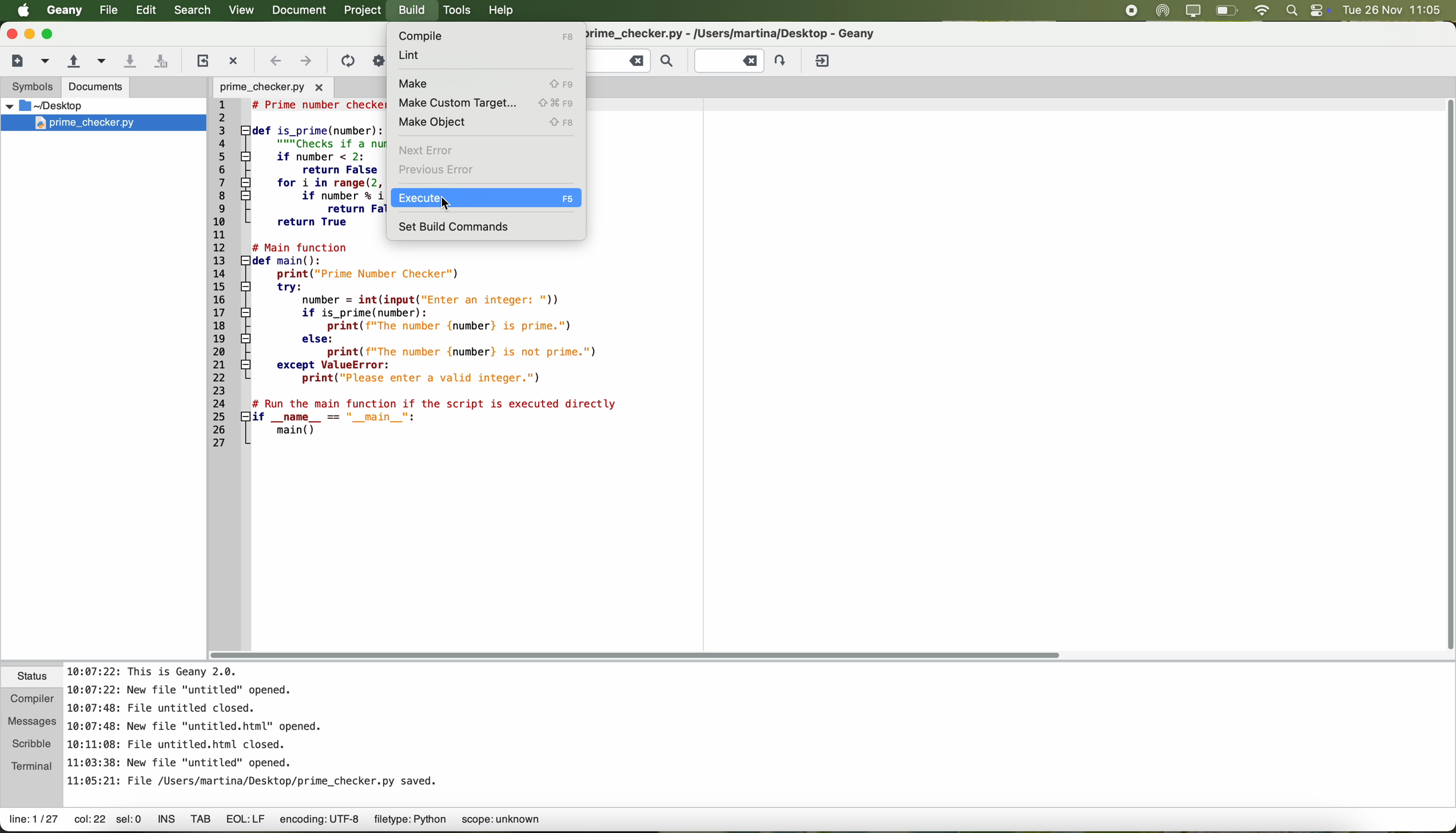 This screenshot has height=833, width=1456. I want to click on prime number checker code, so click(298, 277).